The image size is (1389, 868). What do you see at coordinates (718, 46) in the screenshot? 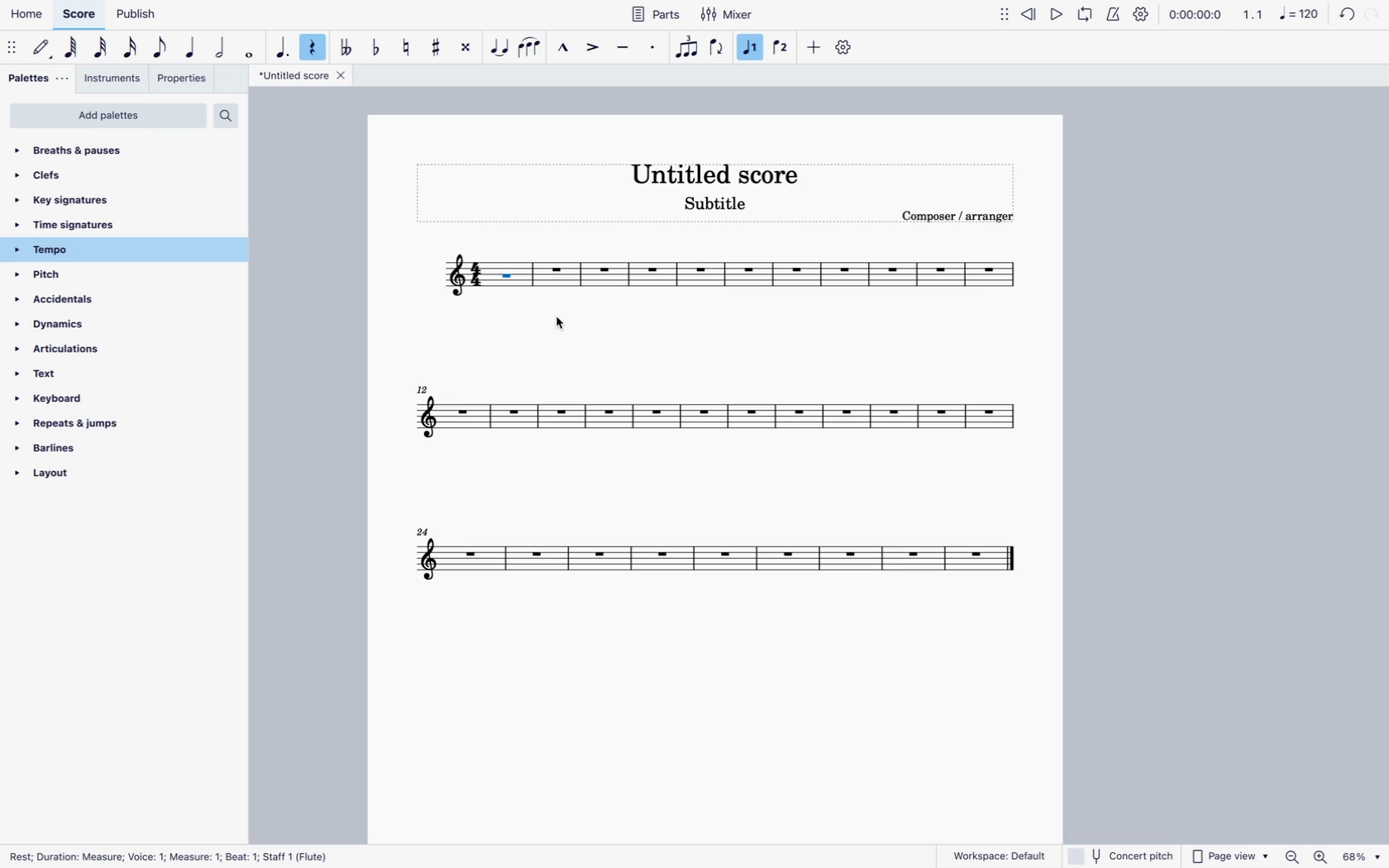
I see `flip direction` at bounding box center [718, 46].